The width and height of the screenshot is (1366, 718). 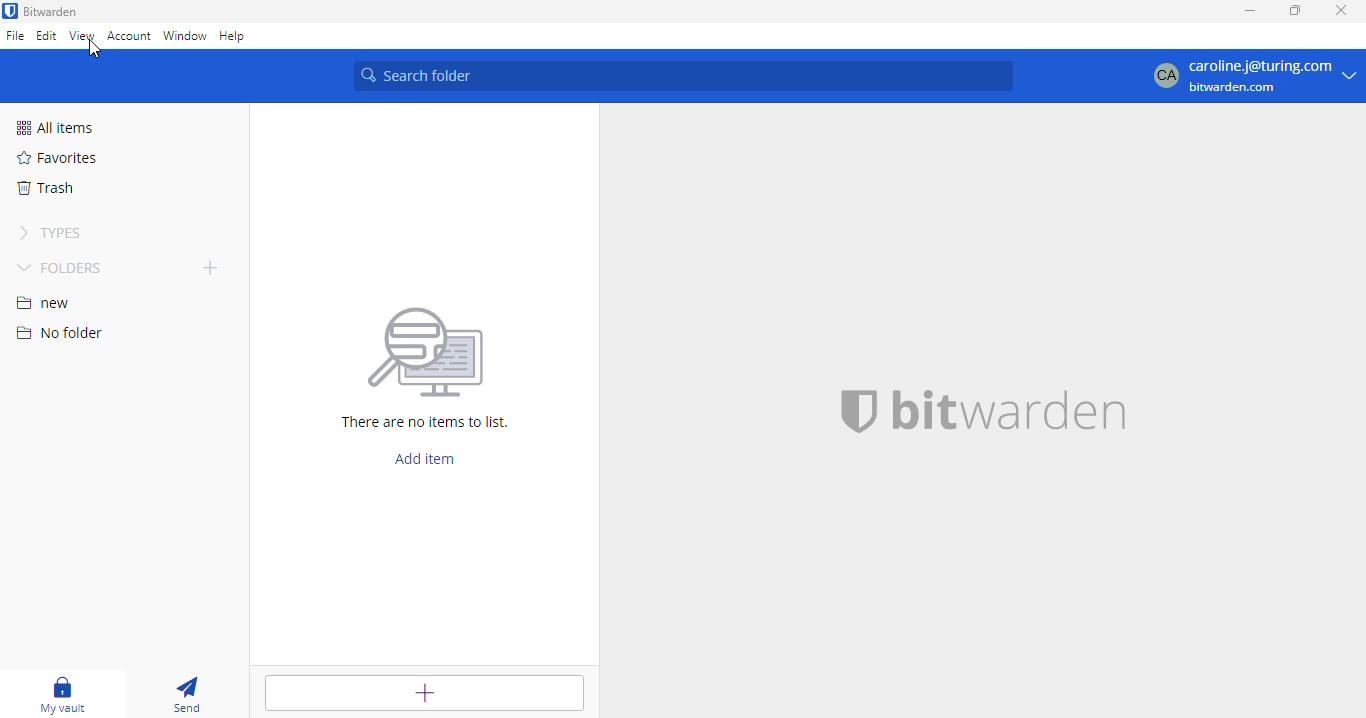 I want to click on favorites, so click(x=58, y=157).